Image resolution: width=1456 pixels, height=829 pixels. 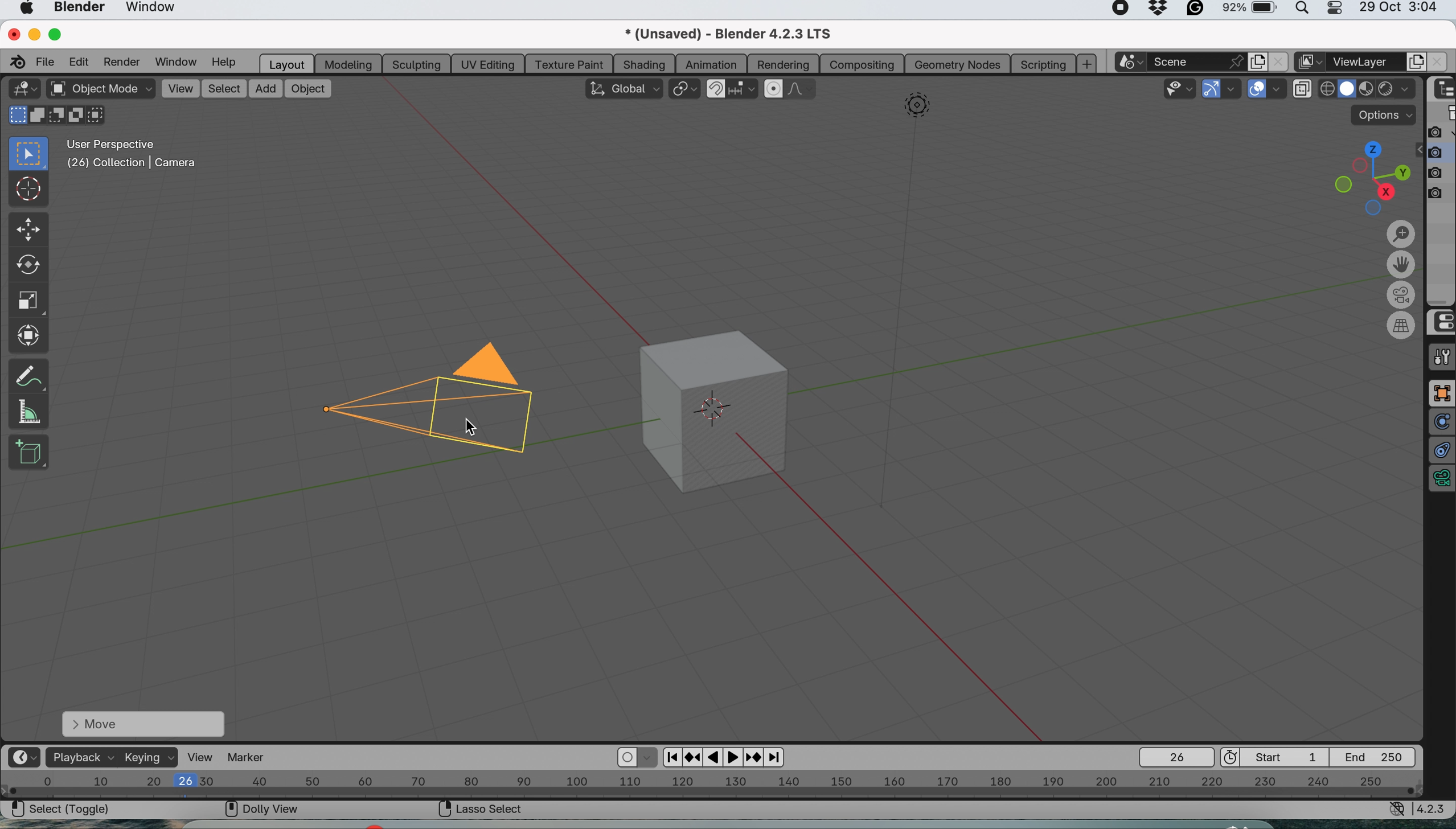 What do you see at coordinates (1441, 322) in the screenshot?
I see `control center` at bounding box center [1441, 322].